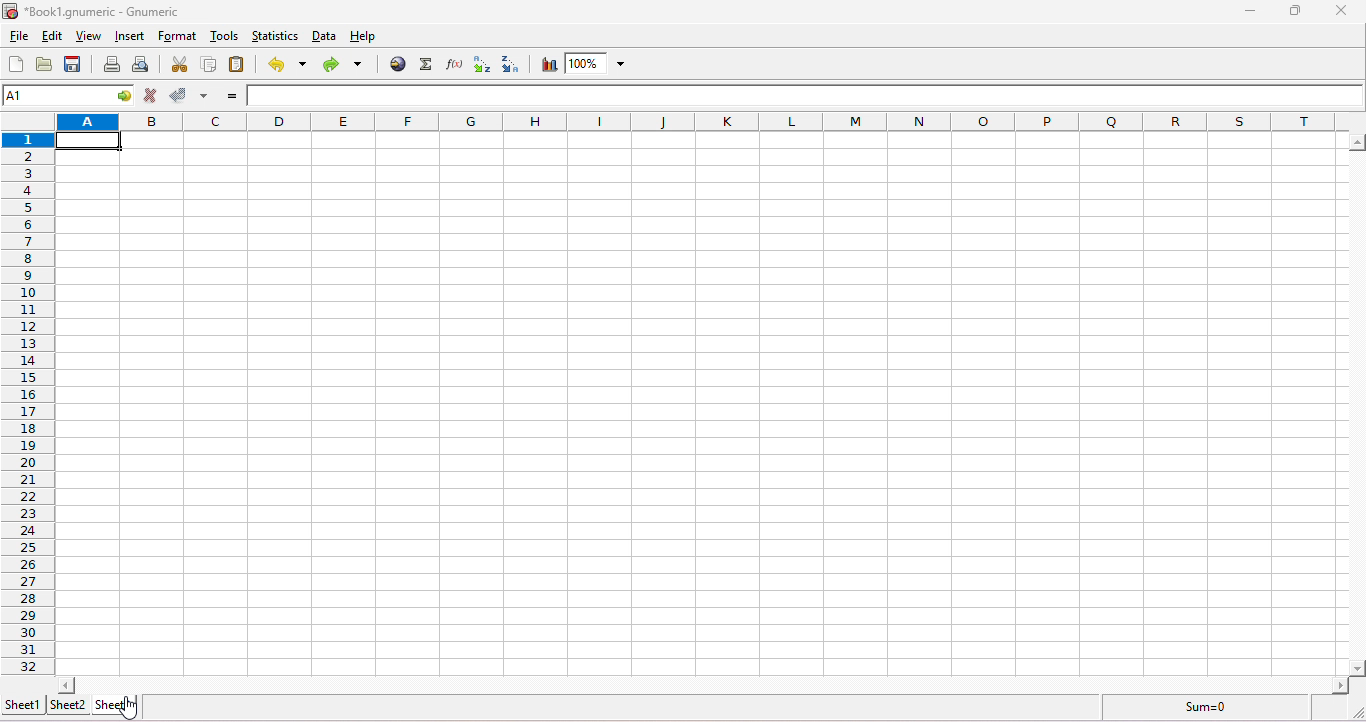 The height and width of the screenshot is (722, 1366). Describe the element at coordinates (1251, 11) in the screenshot. I see `minimize` at that location.